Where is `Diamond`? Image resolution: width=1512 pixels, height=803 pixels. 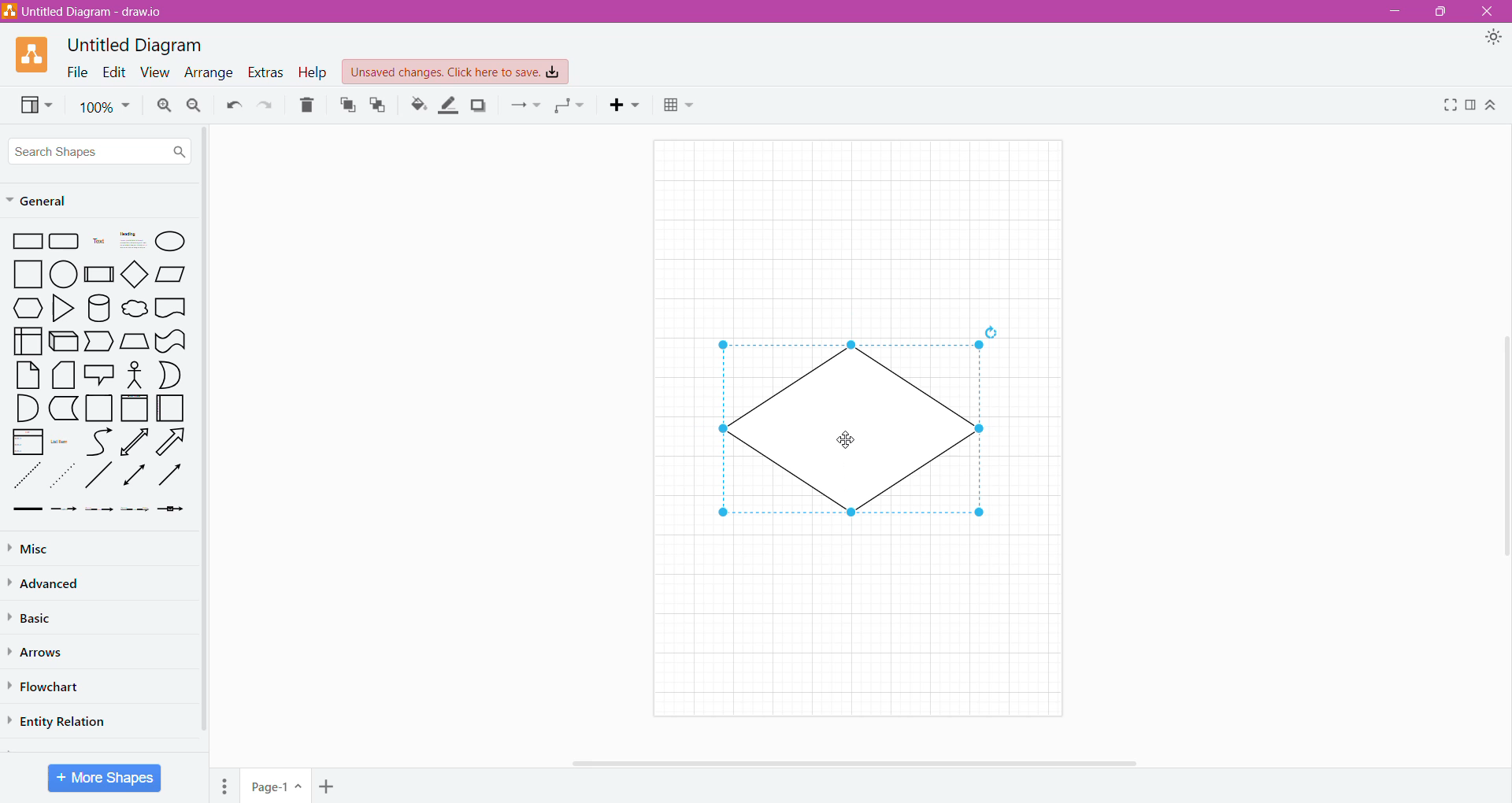 Diamond is located at coordinates (136, 276).